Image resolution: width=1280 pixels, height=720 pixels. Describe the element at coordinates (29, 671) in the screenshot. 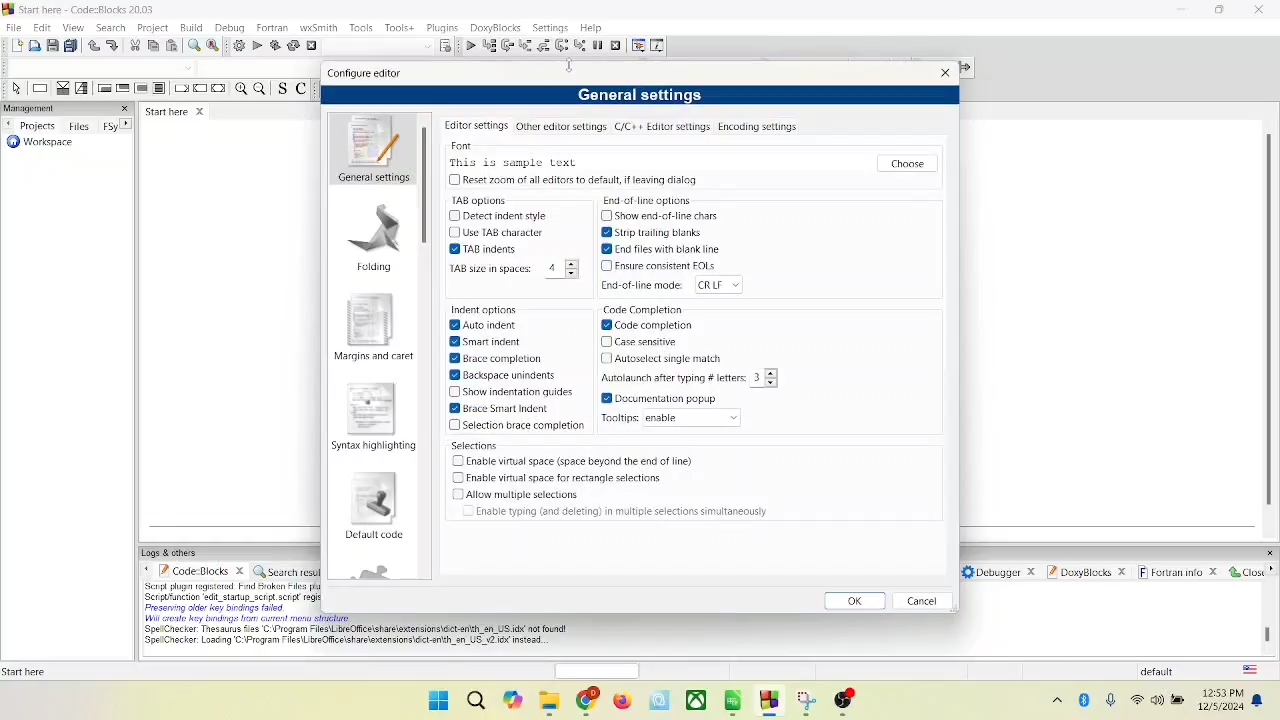

I see `start here` at that location.